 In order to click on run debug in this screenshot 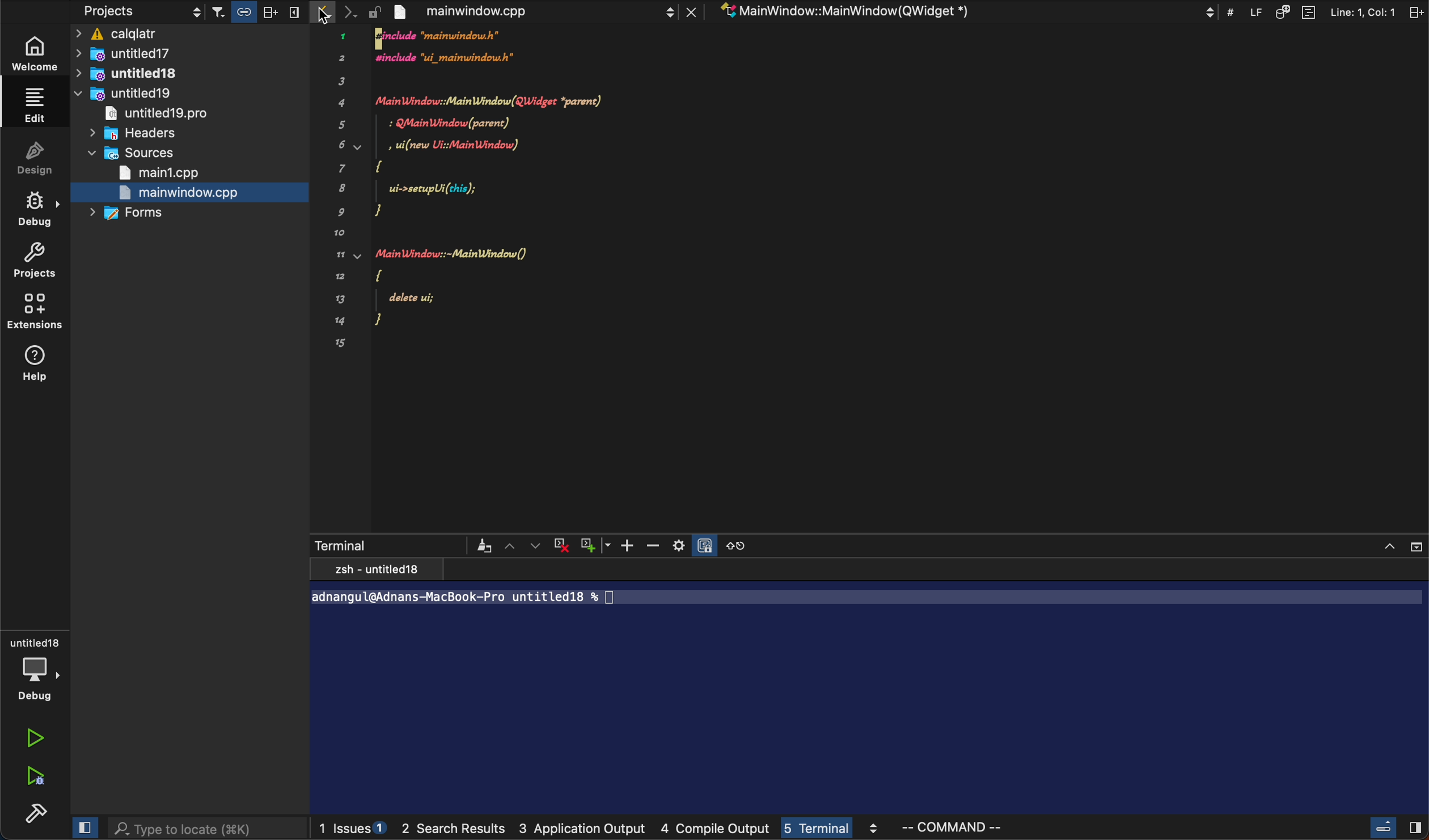, I will do `click(38, 778)`.